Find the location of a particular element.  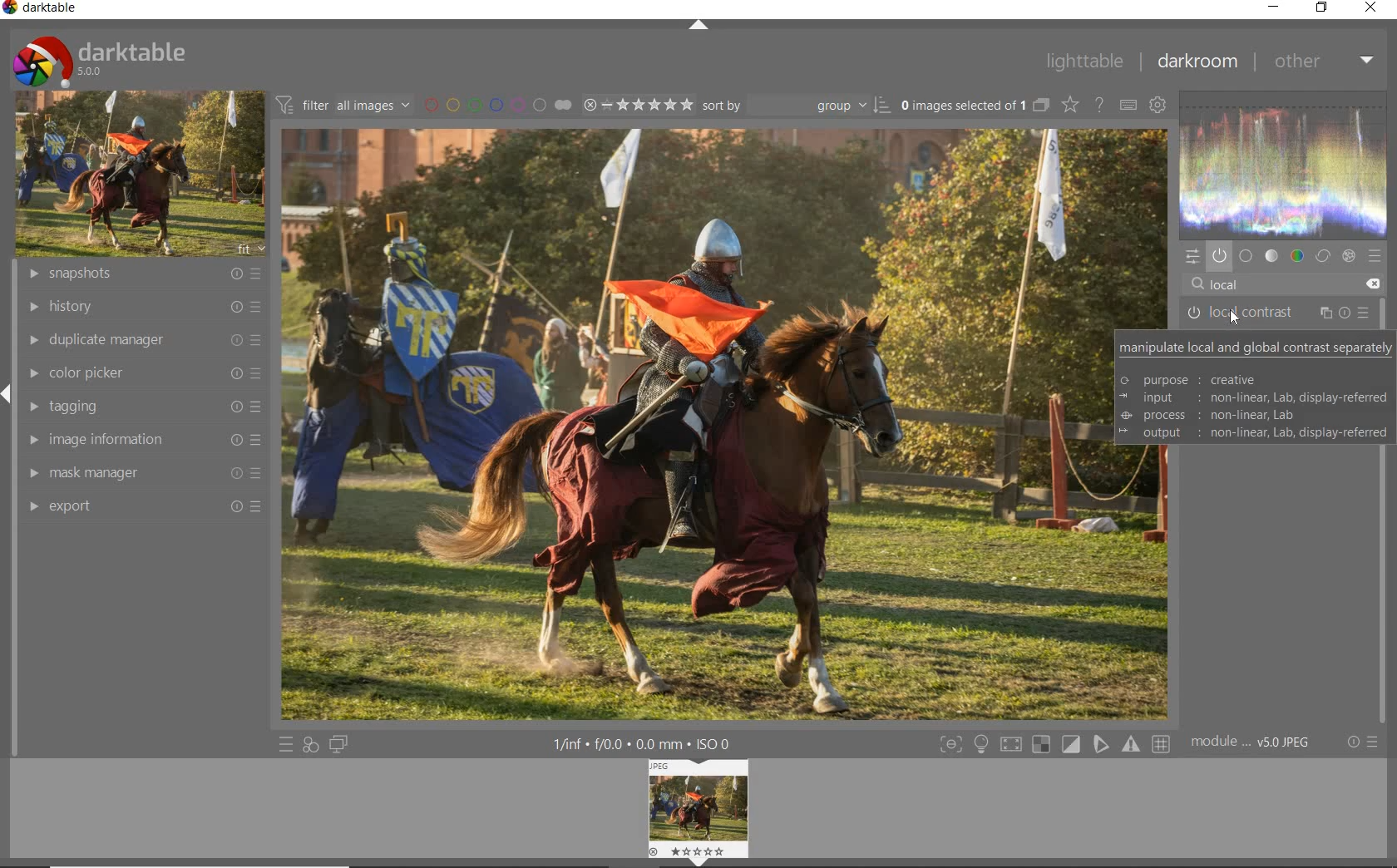

quick access panel is located at coordinates (1192, 256).